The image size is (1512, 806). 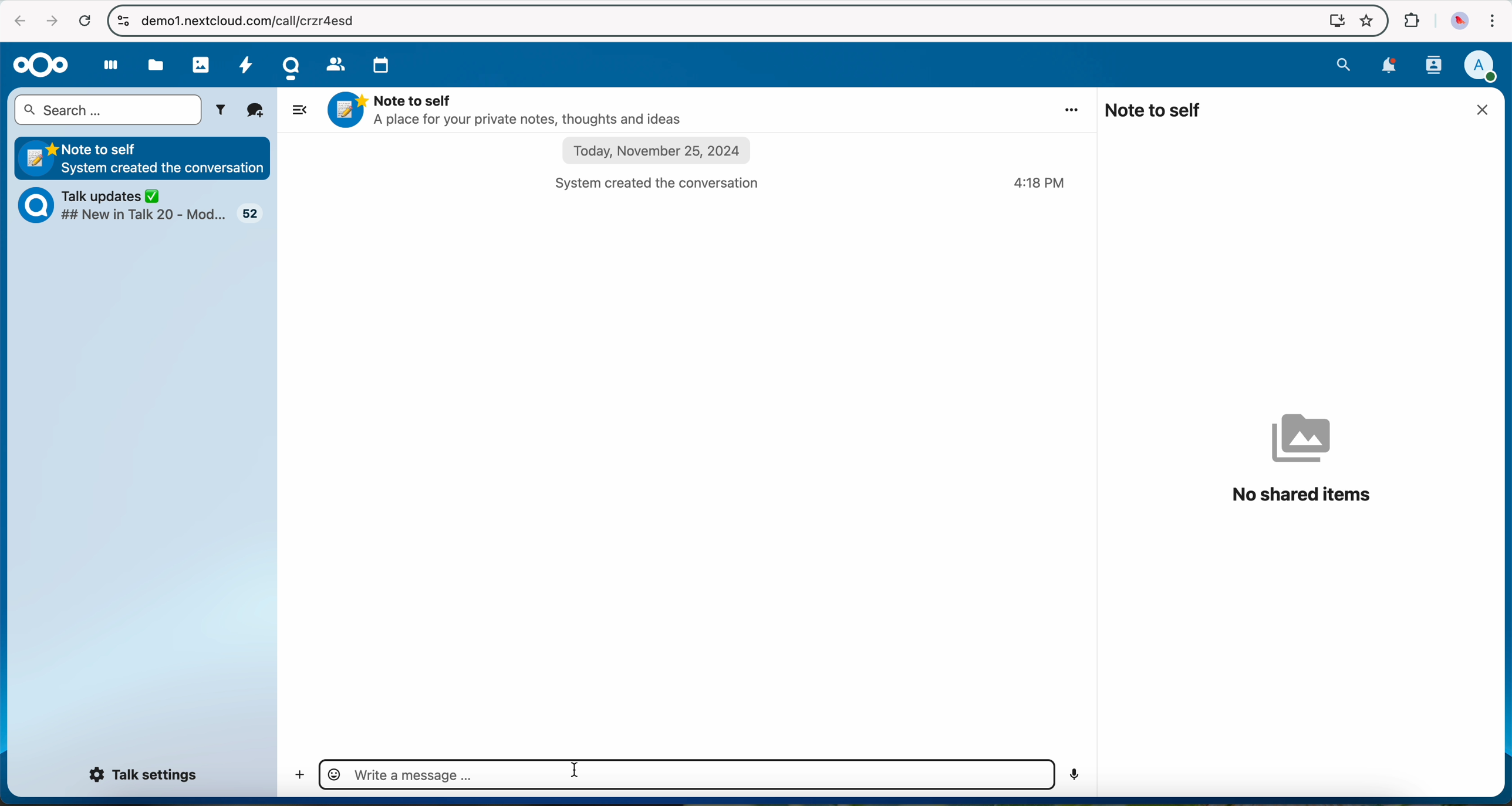 What do you see at coordinates (144, 157) in the screenshot?
I see `Note to self` at bounding box center [144, 157].